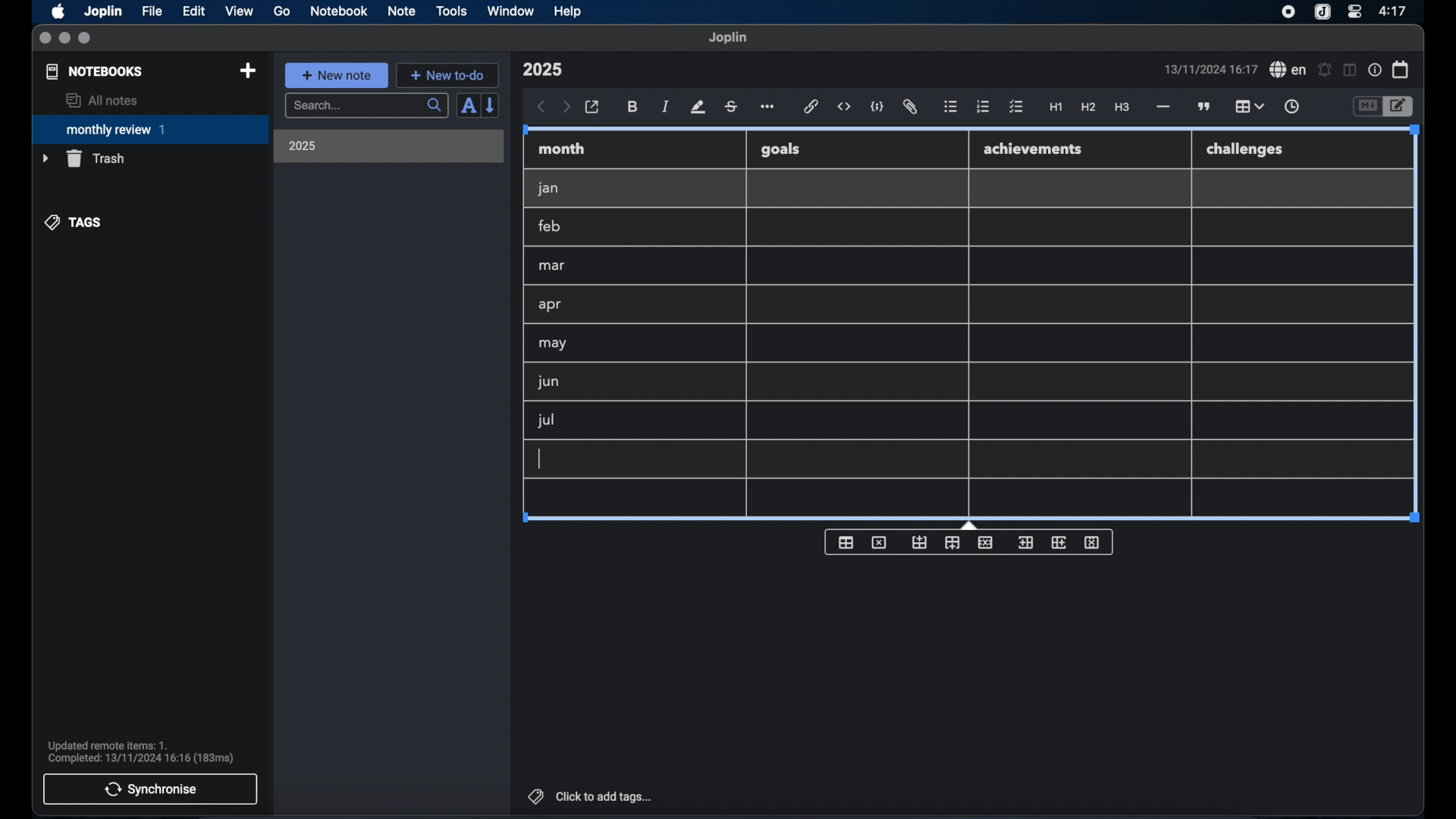 This screenshot has width=1456, height=819. Describe the element at coordinates (74, 222) in the screenshot. I see `tags` at that location.